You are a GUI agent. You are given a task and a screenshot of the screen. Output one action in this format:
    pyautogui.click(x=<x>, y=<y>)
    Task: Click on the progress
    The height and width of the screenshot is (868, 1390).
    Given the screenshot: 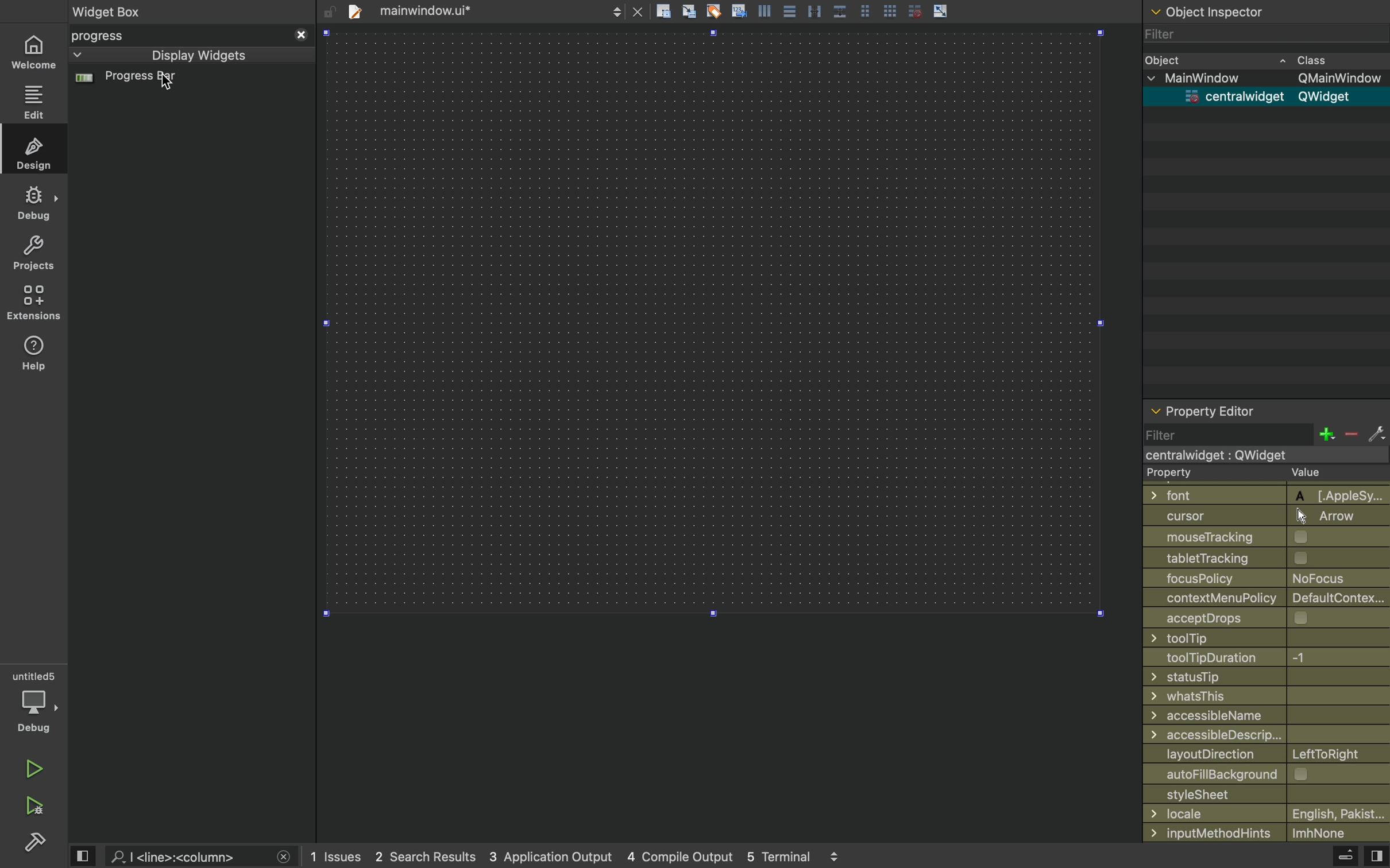 What is the action you would take?
    pyautogui.click(x=191, y=36)
    